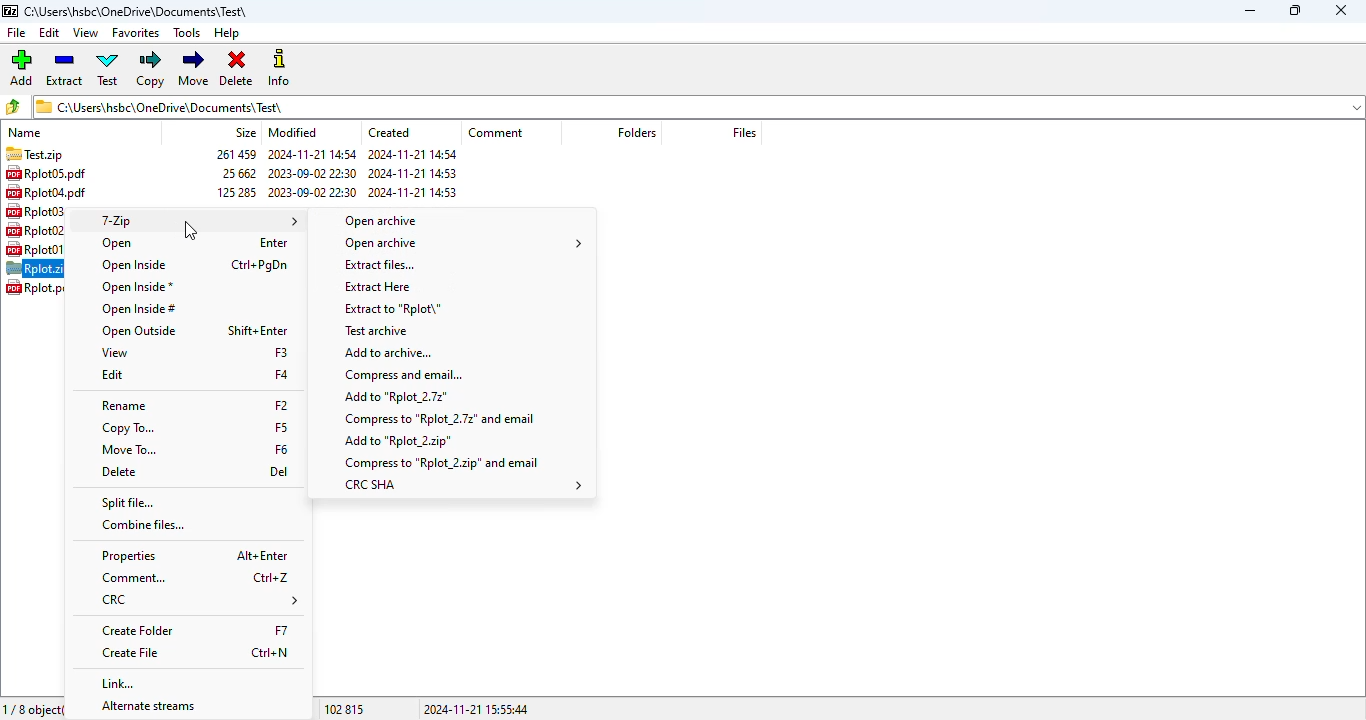  What do you see at coordinates (496, 133) in the screenshot?
I see `comment` at bounding box center [496, 133].